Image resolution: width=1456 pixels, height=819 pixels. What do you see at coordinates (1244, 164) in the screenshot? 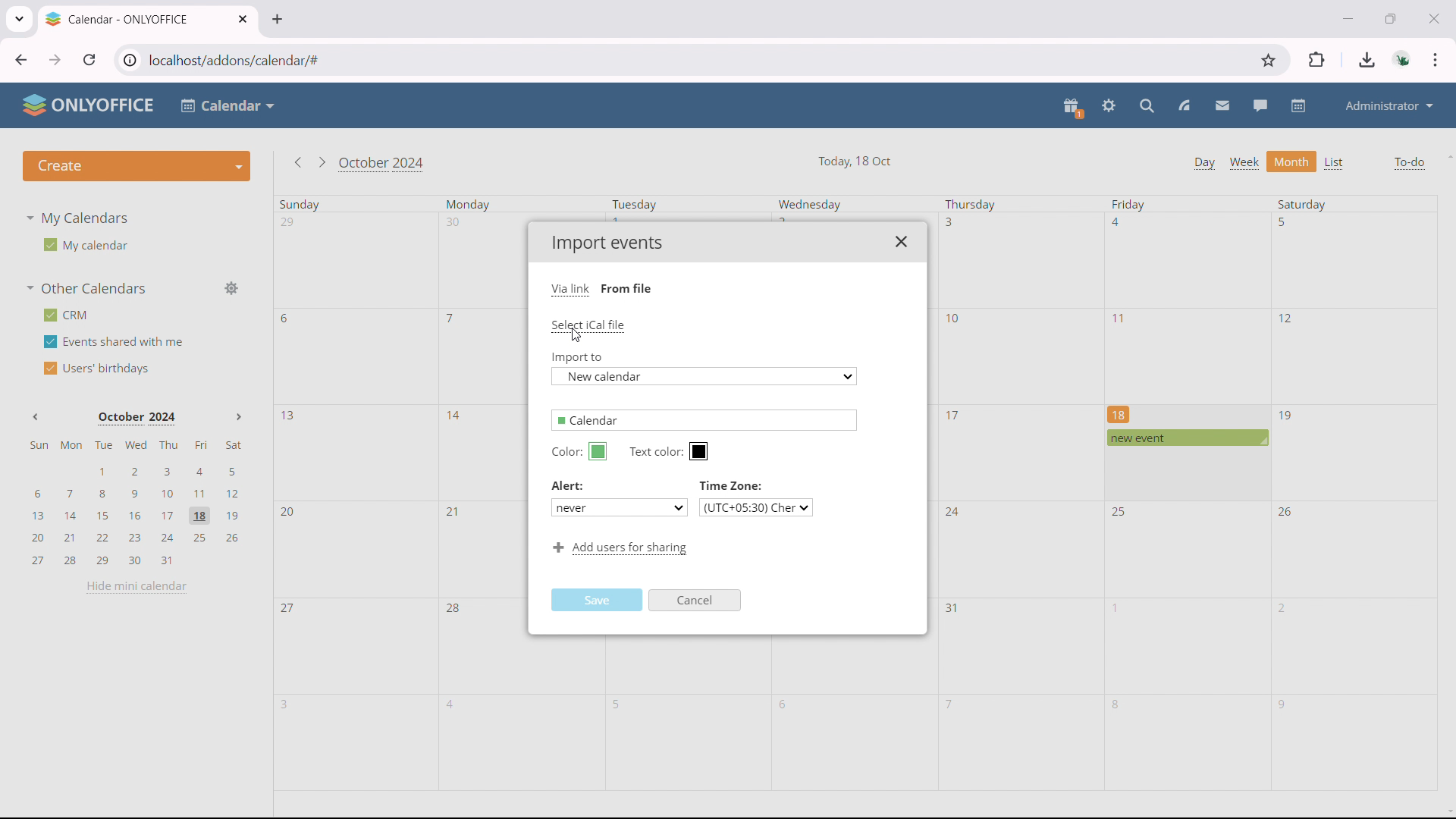
I see `week` at bounding box center [1244, 164].